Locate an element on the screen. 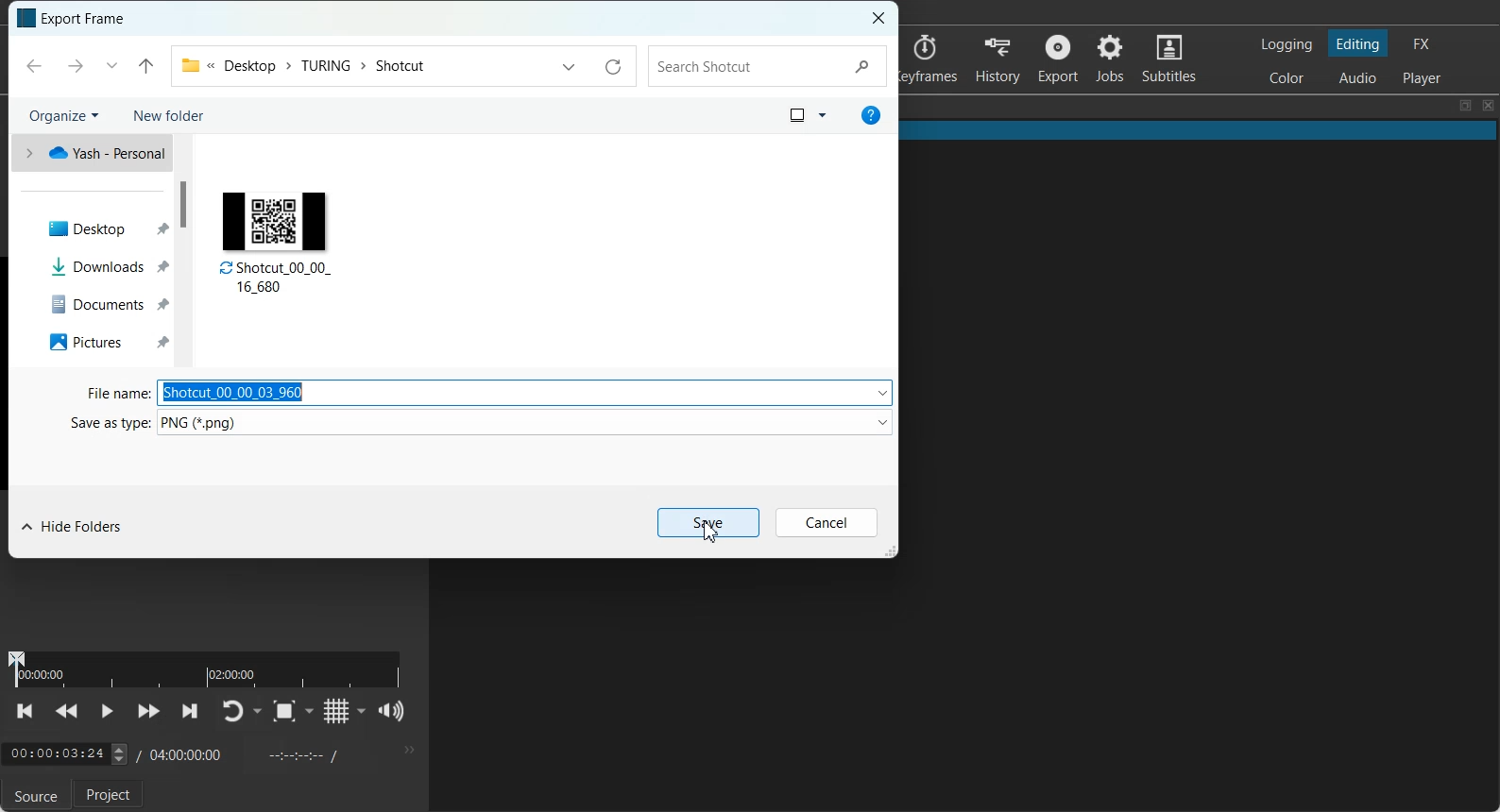  Export is located at coordinates (1057, 58).